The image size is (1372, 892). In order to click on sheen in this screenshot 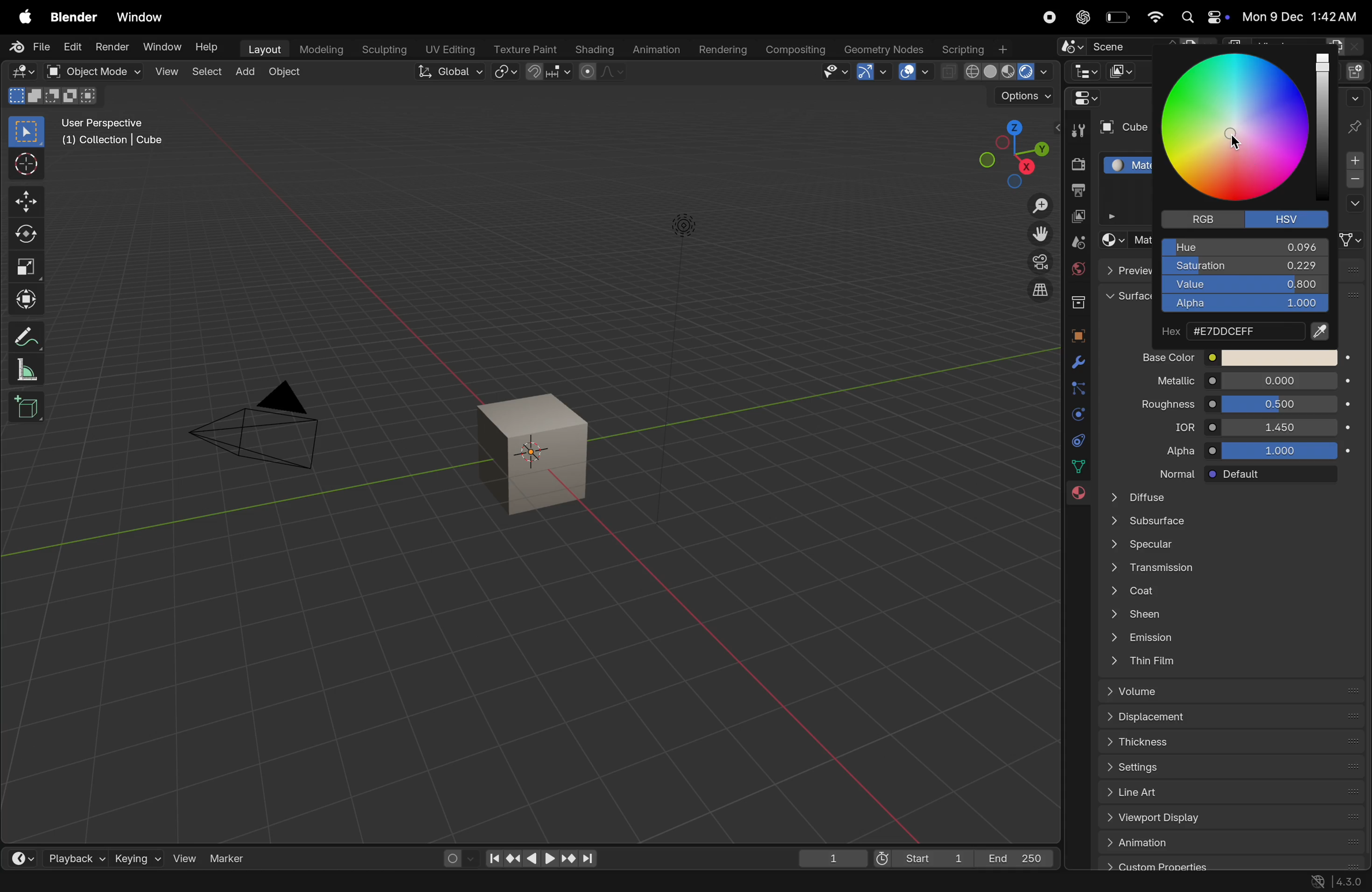, I will do `click(1224, 617)`.